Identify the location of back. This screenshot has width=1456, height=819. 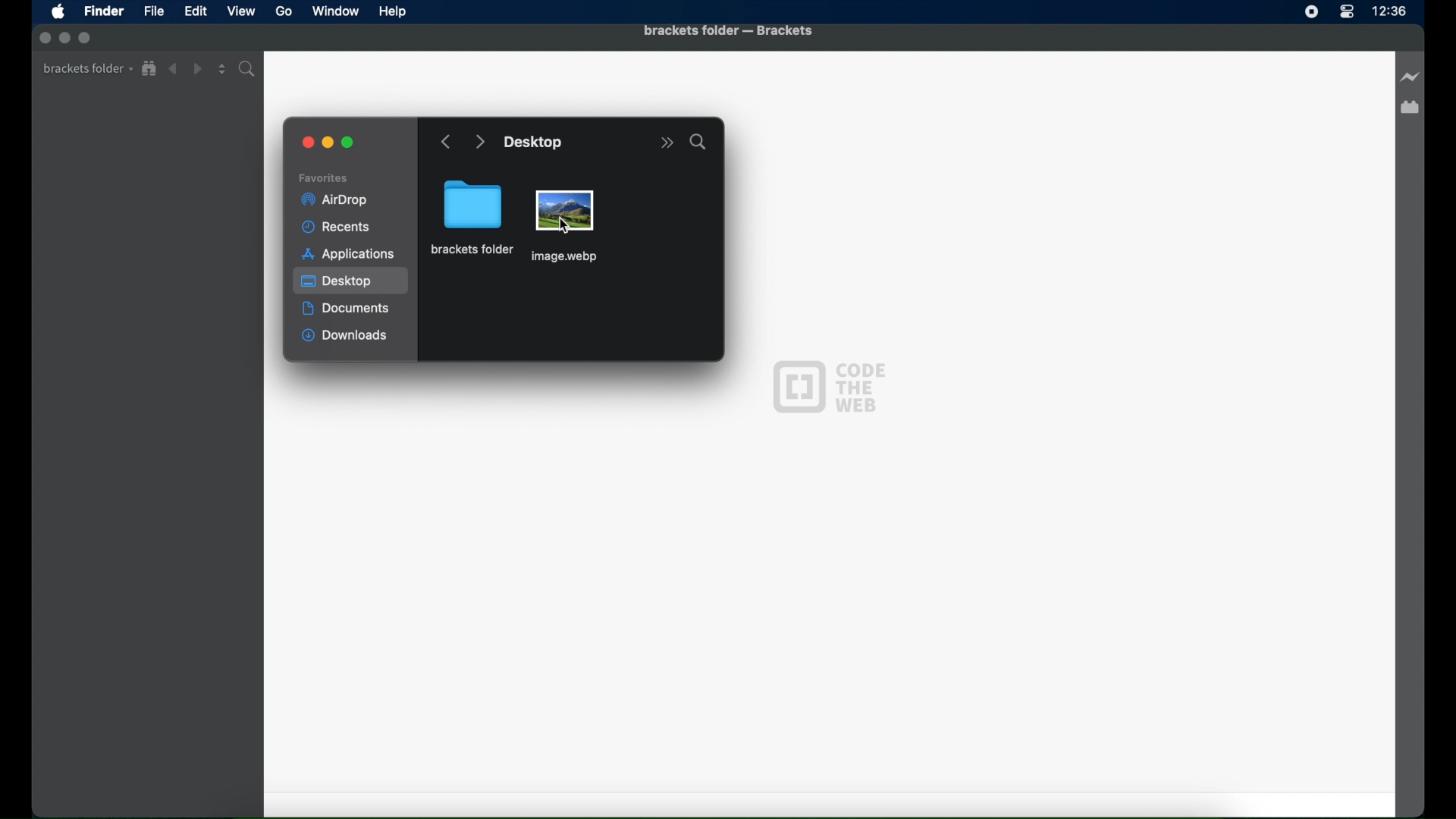
(173, 69).